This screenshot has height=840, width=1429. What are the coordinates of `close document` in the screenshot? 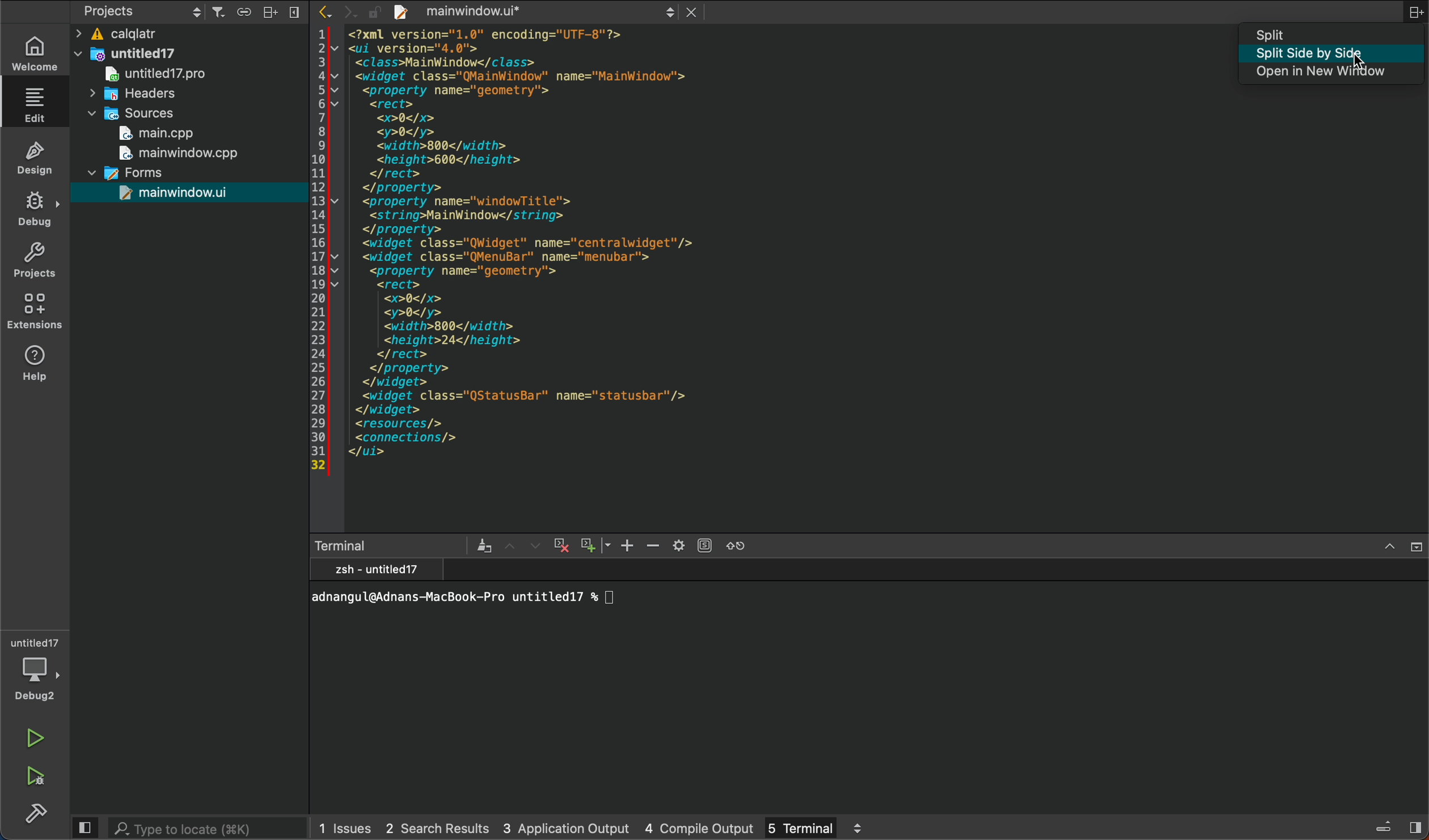 It's located at (697, 11).